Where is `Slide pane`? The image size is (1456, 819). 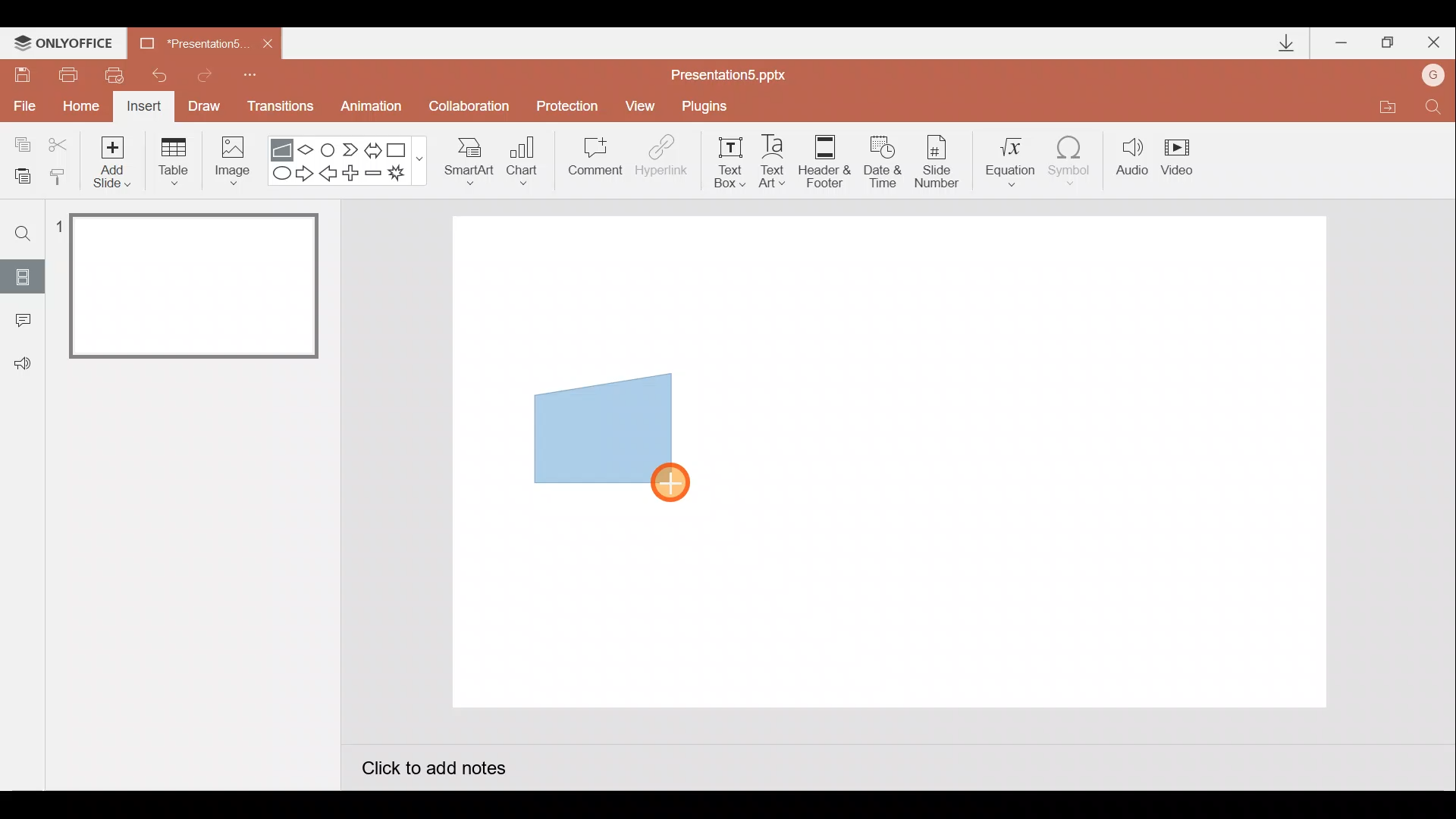 Slide pane is located at coordinates (196, 439).